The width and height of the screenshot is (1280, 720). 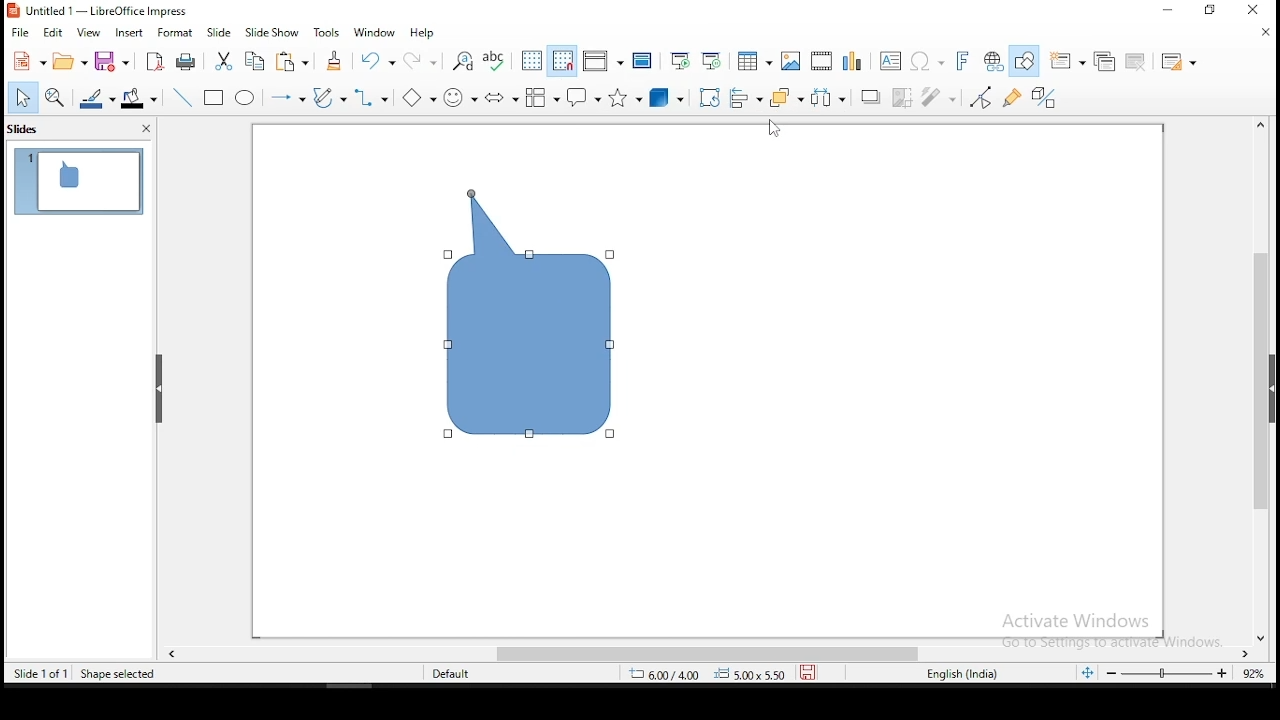 What do you see at coordinates (423, 34) in the screenshot?
I see `help` at bounding box center [423, 34].